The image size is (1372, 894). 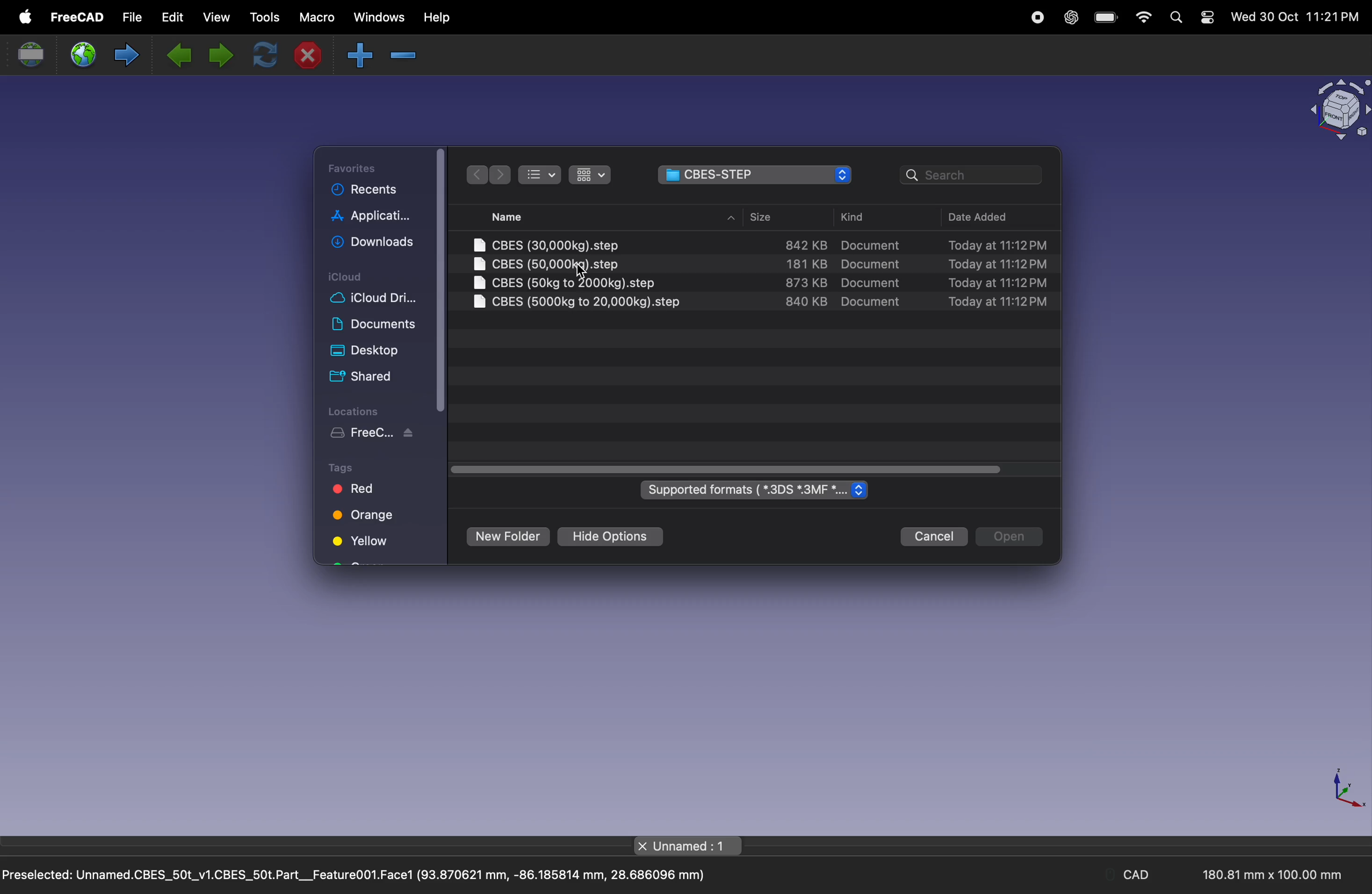 I want to click on cursor, so click(x=581, y=273).